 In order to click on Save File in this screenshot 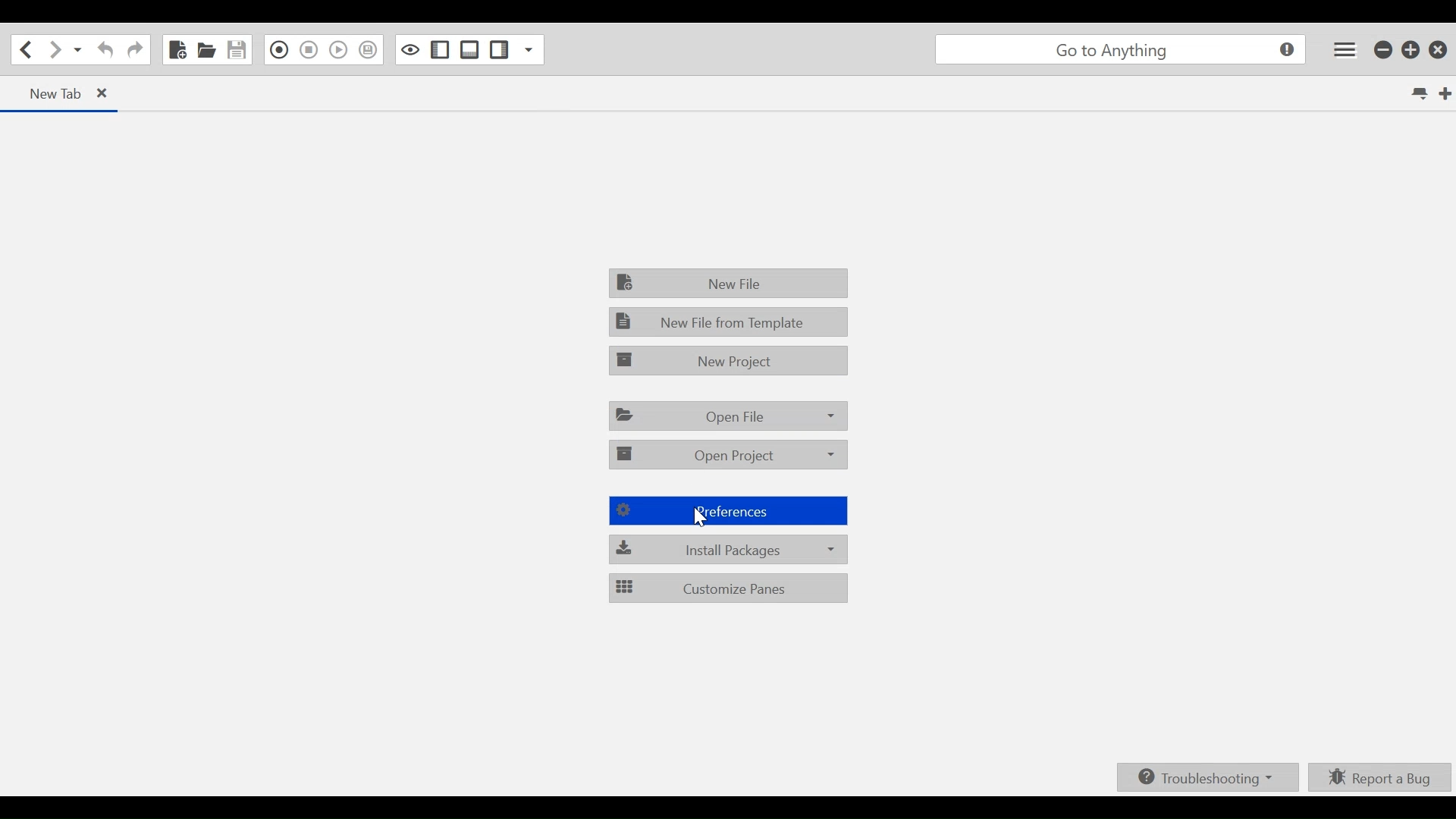, I will do `click(236, 50)`.